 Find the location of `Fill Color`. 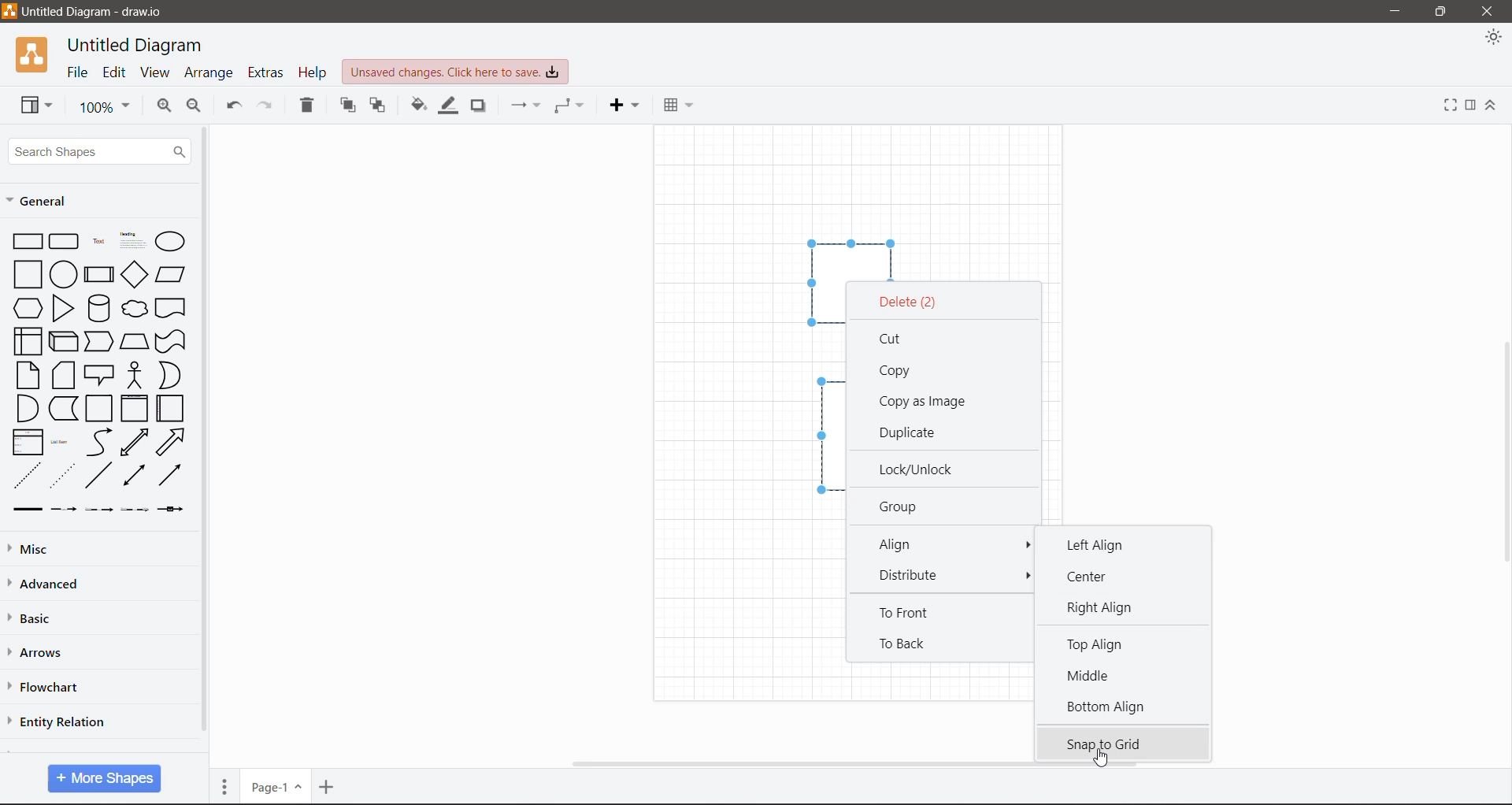

Fill Color is located at coordinates (418, 108).